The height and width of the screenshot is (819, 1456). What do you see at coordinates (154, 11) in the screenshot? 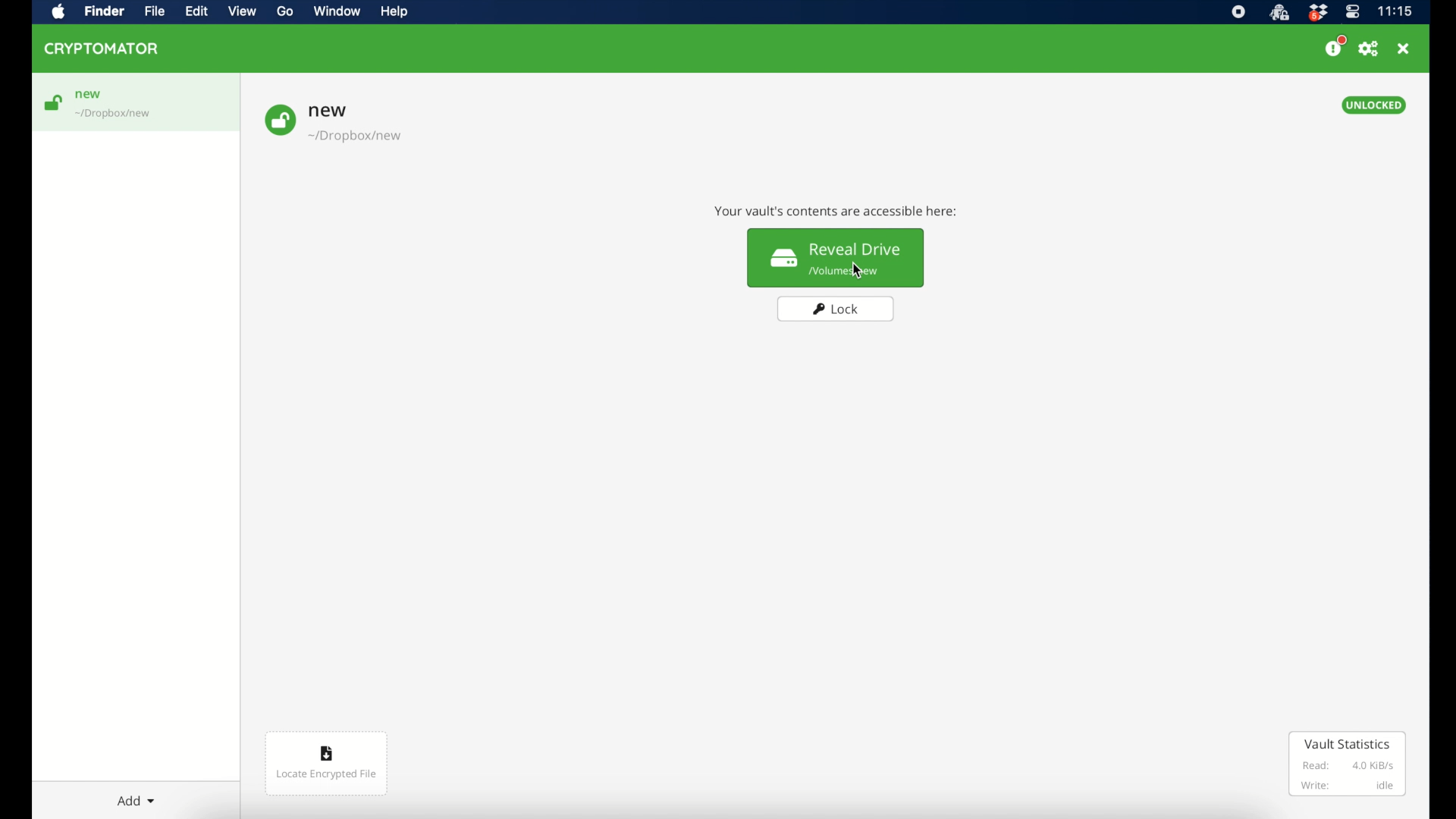
I see `file` at bounding box center [154, 11].